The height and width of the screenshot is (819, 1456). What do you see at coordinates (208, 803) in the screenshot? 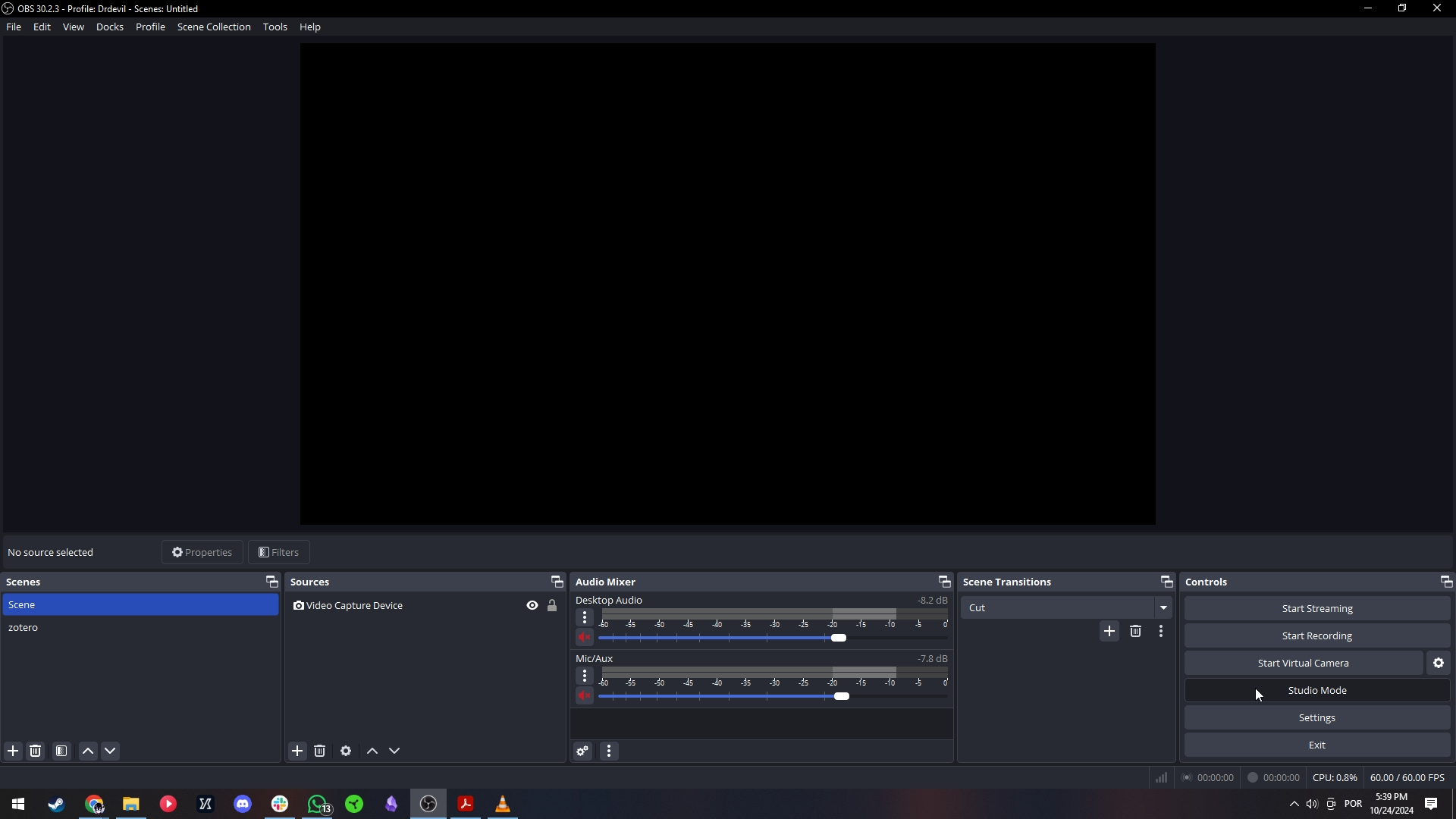
I see `X` at bounding box center [208, 803].